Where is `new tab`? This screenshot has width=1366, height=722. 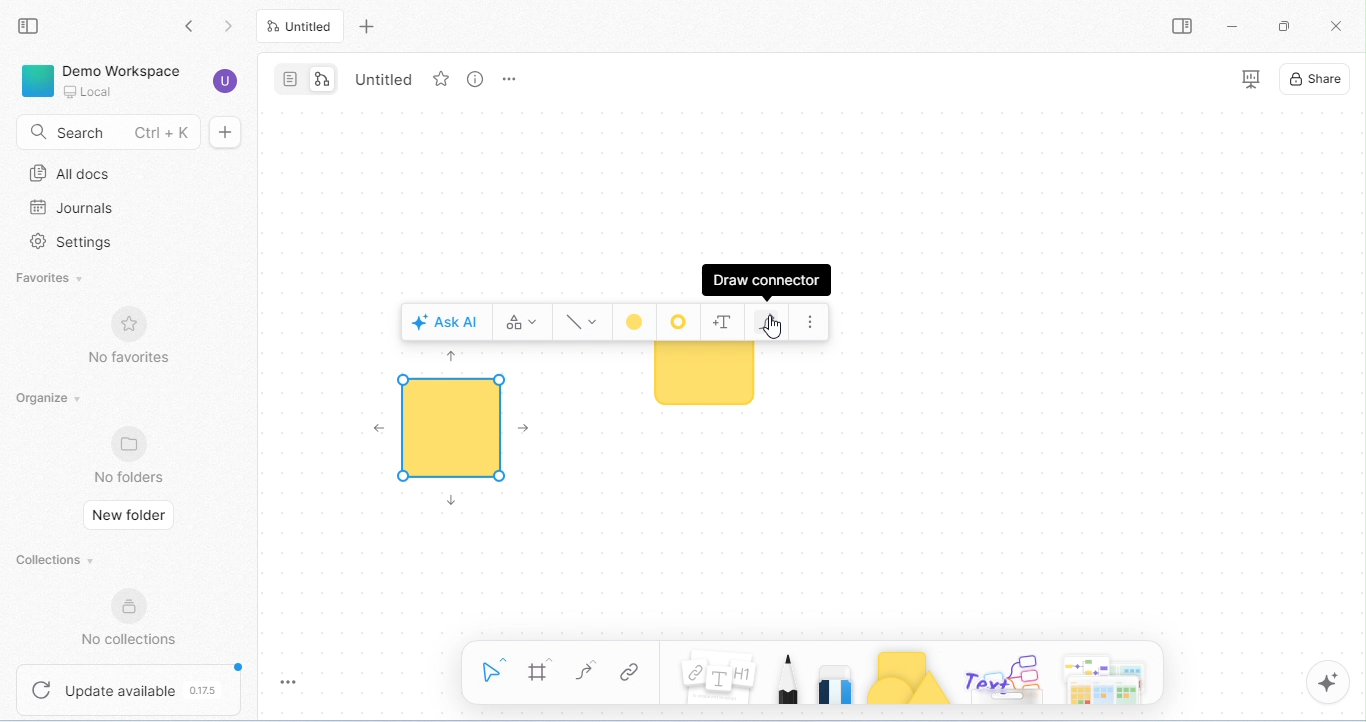 new tab is located at coordinates (370, 26).